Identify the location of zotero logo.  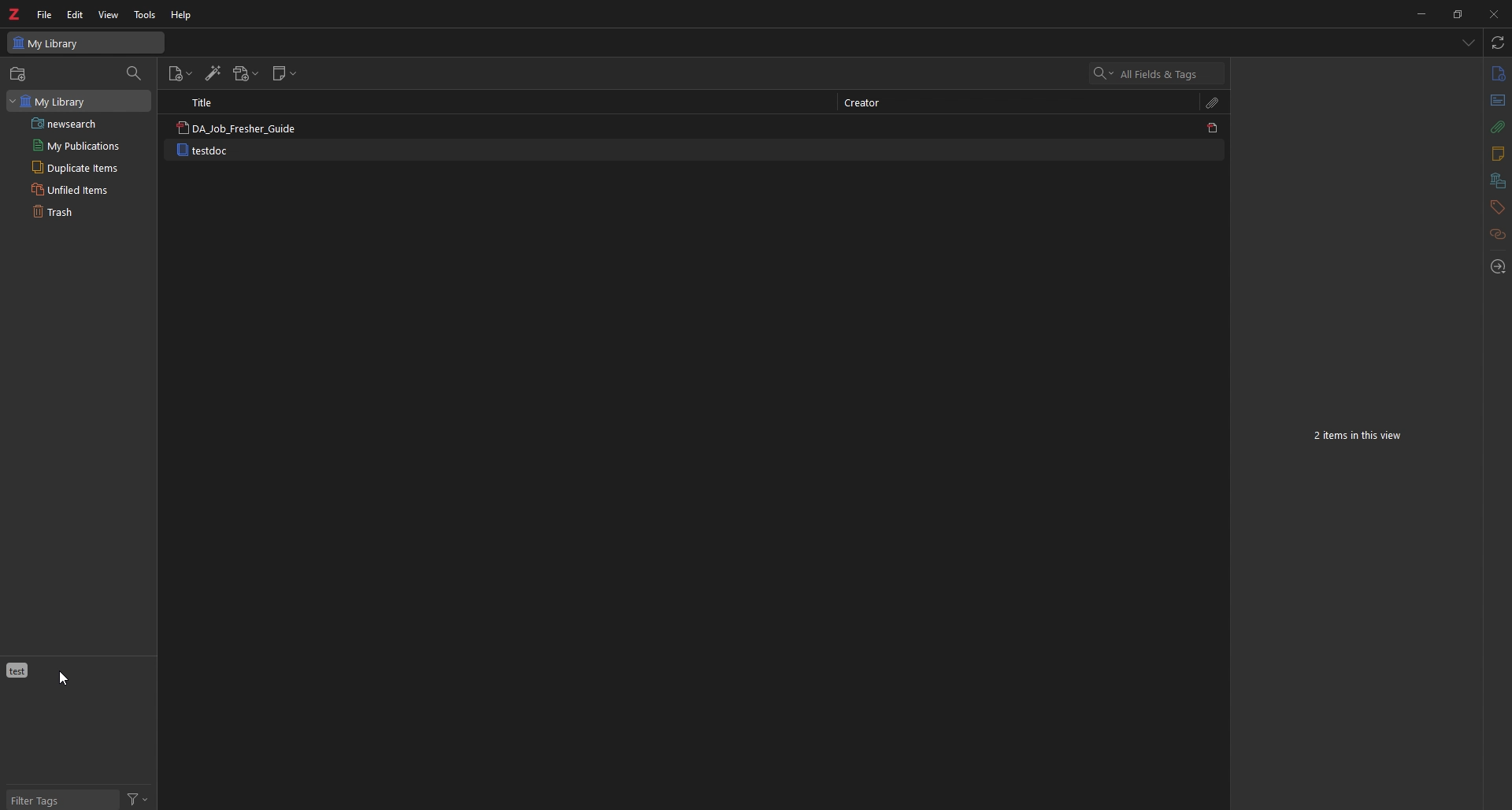
(15, 14).